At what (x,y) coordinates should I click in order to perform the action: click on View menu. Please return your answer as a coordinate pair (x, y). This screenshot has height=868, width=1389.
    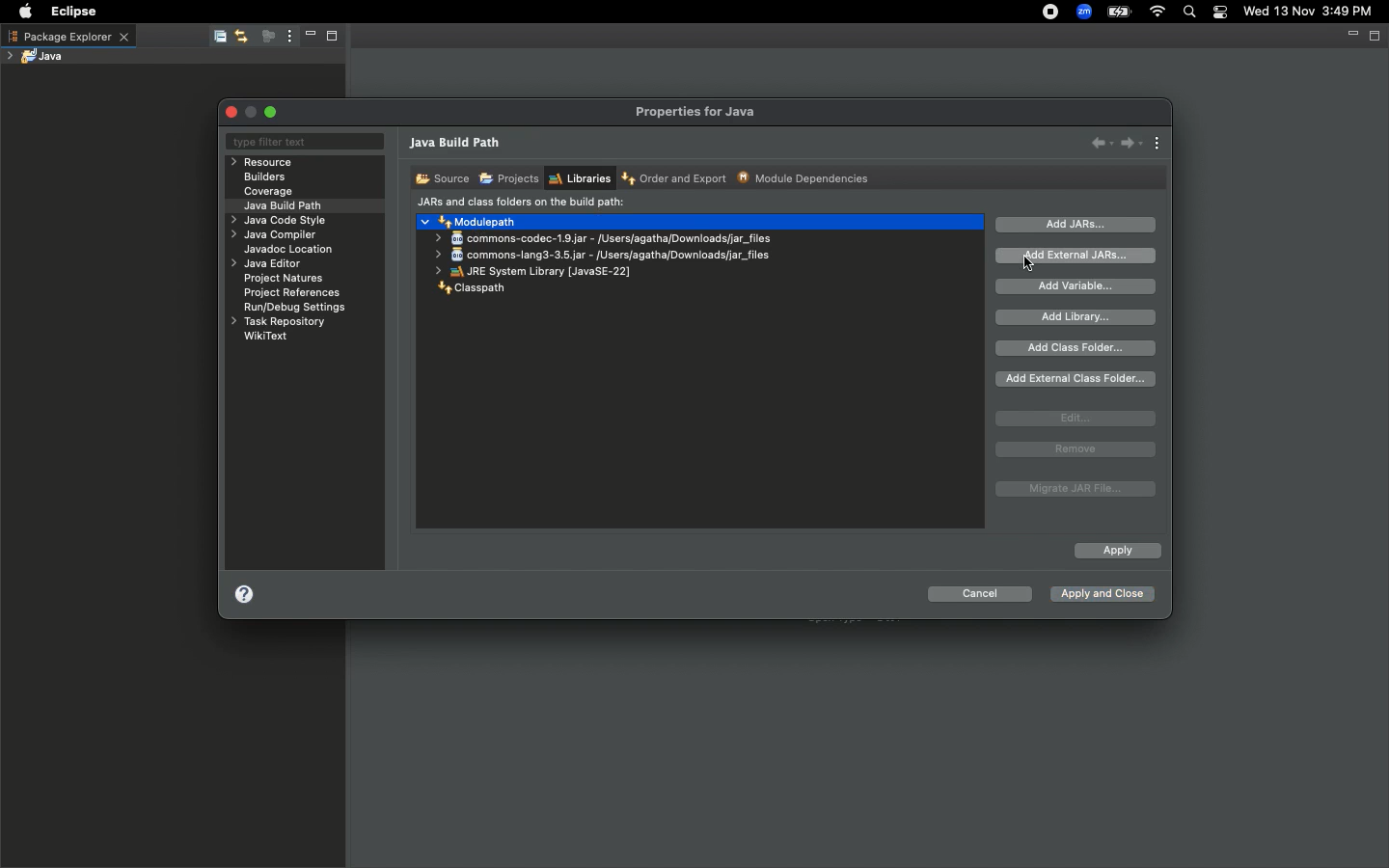
    Looking at the image, I should click on (287, 37).